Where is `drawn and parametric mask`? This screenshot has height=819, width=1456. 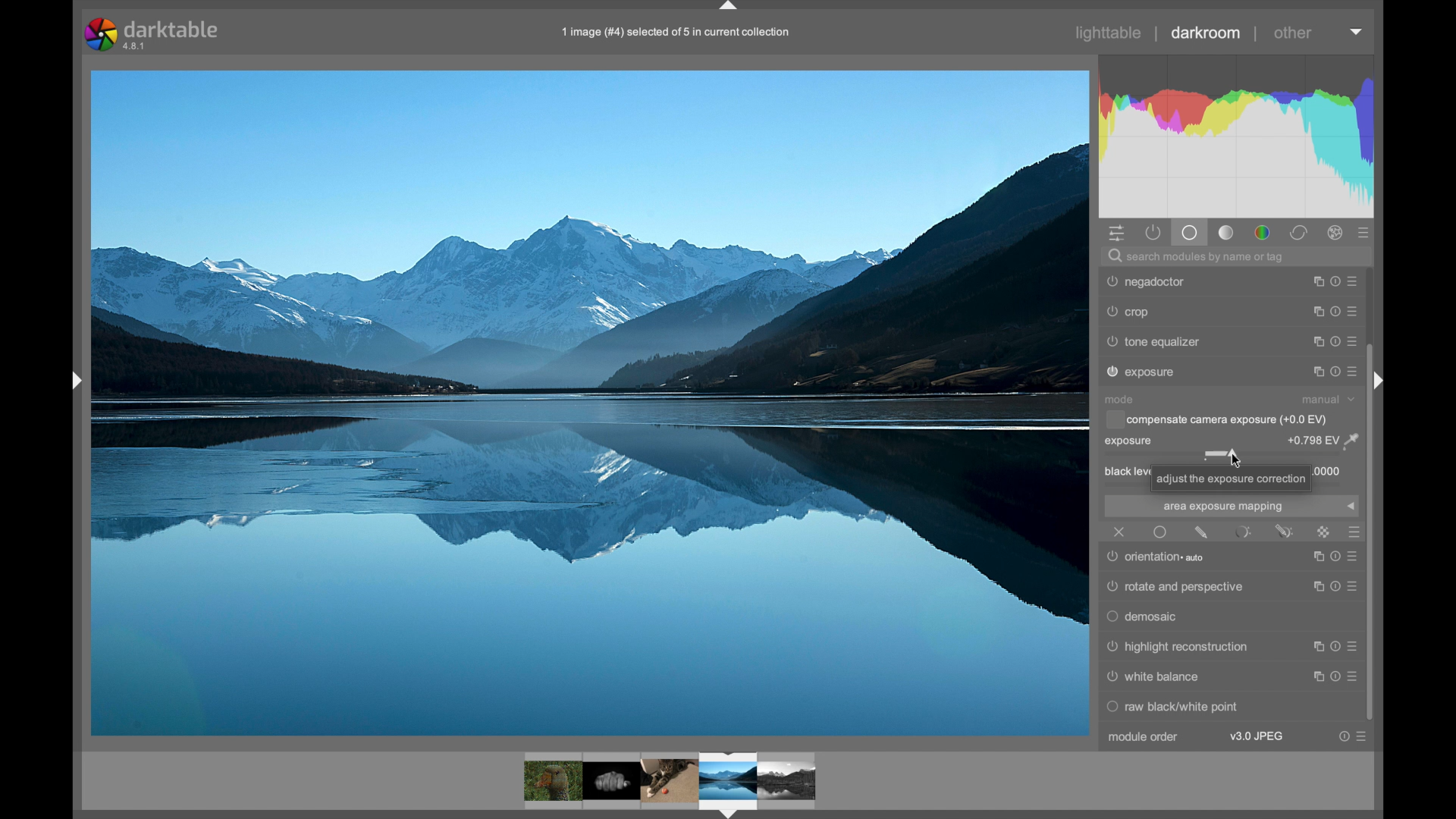
drawn and parametric mask is located at coordinates (1285, 531).